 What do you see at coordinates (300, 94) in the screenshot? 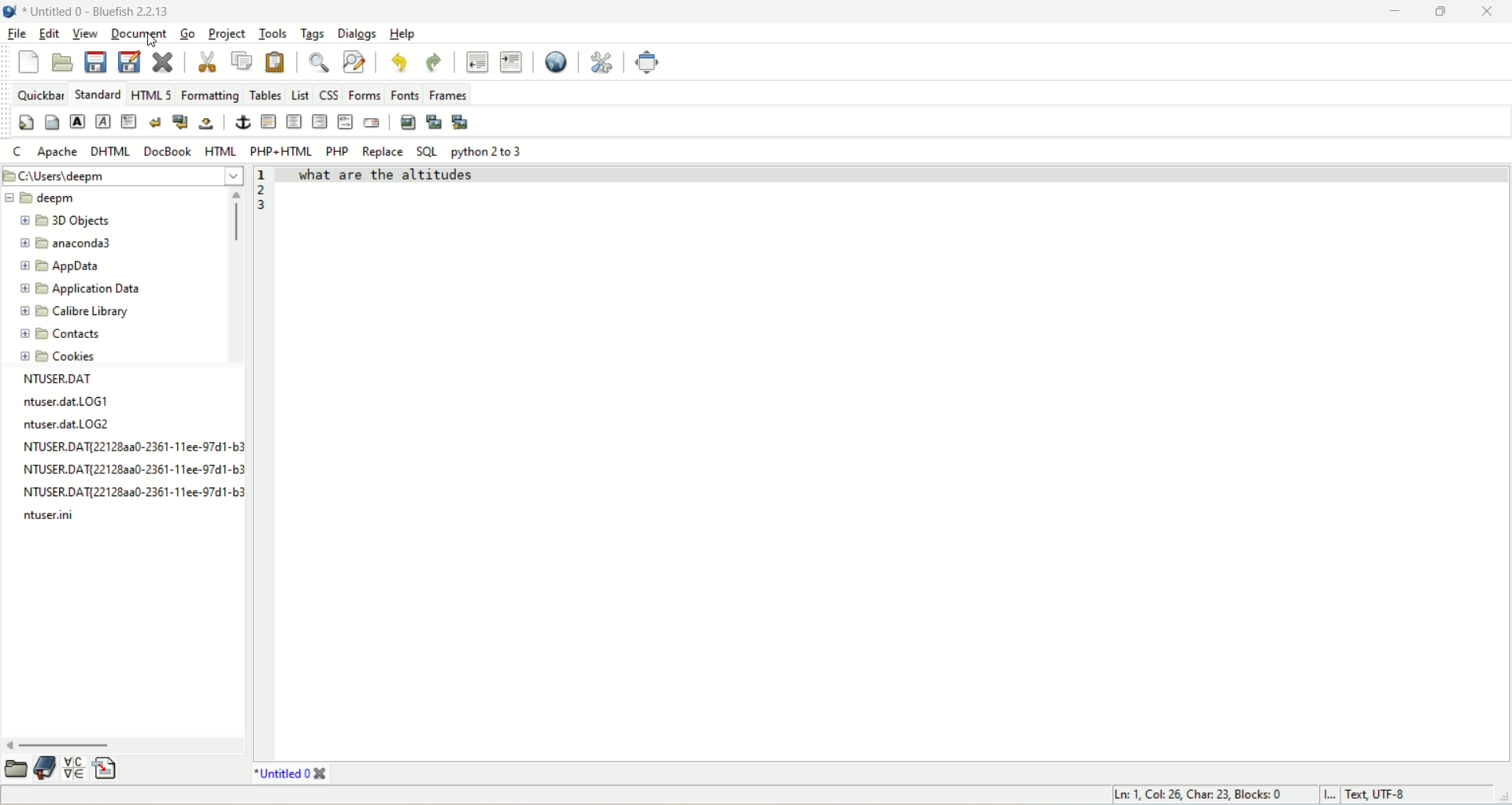
I see `list` at bounding box center [300, 94].